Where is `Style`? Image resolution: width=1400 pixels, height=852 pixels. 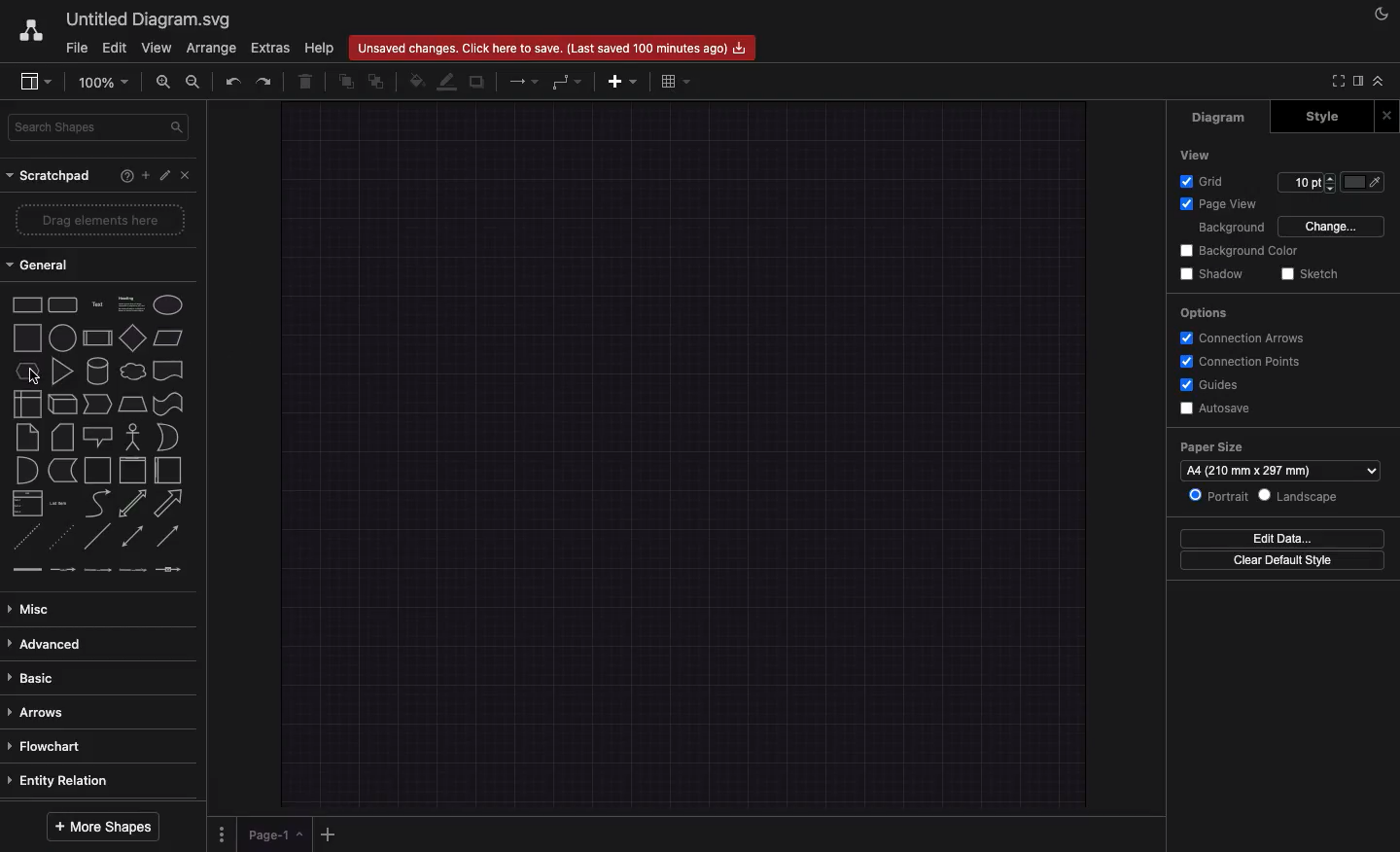
Style is located at coordinates (1325, 117).